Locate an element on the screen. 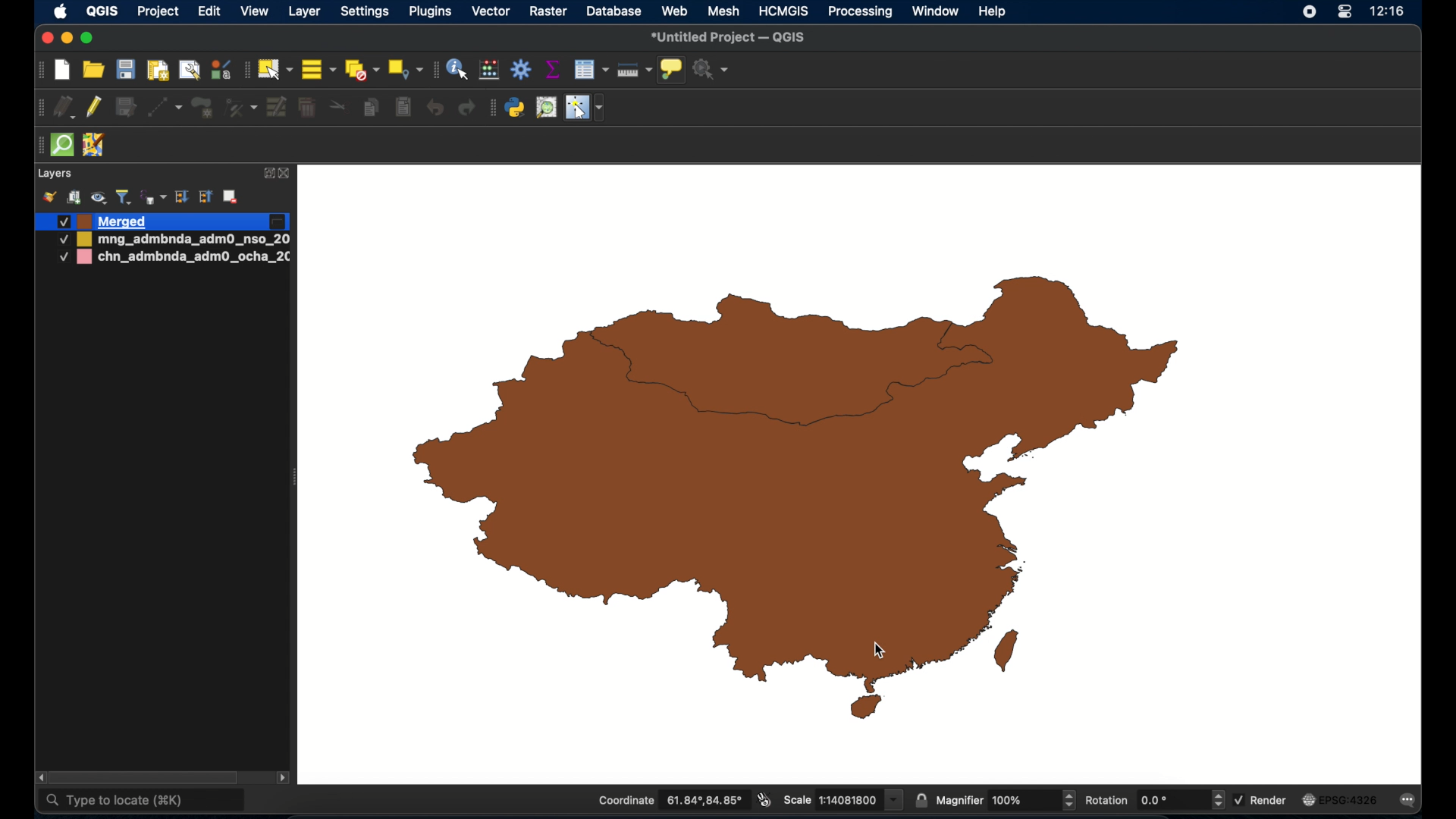 The height and width of the screenshot is (819, 1456). show map tips is located at coordinates (670, 69).